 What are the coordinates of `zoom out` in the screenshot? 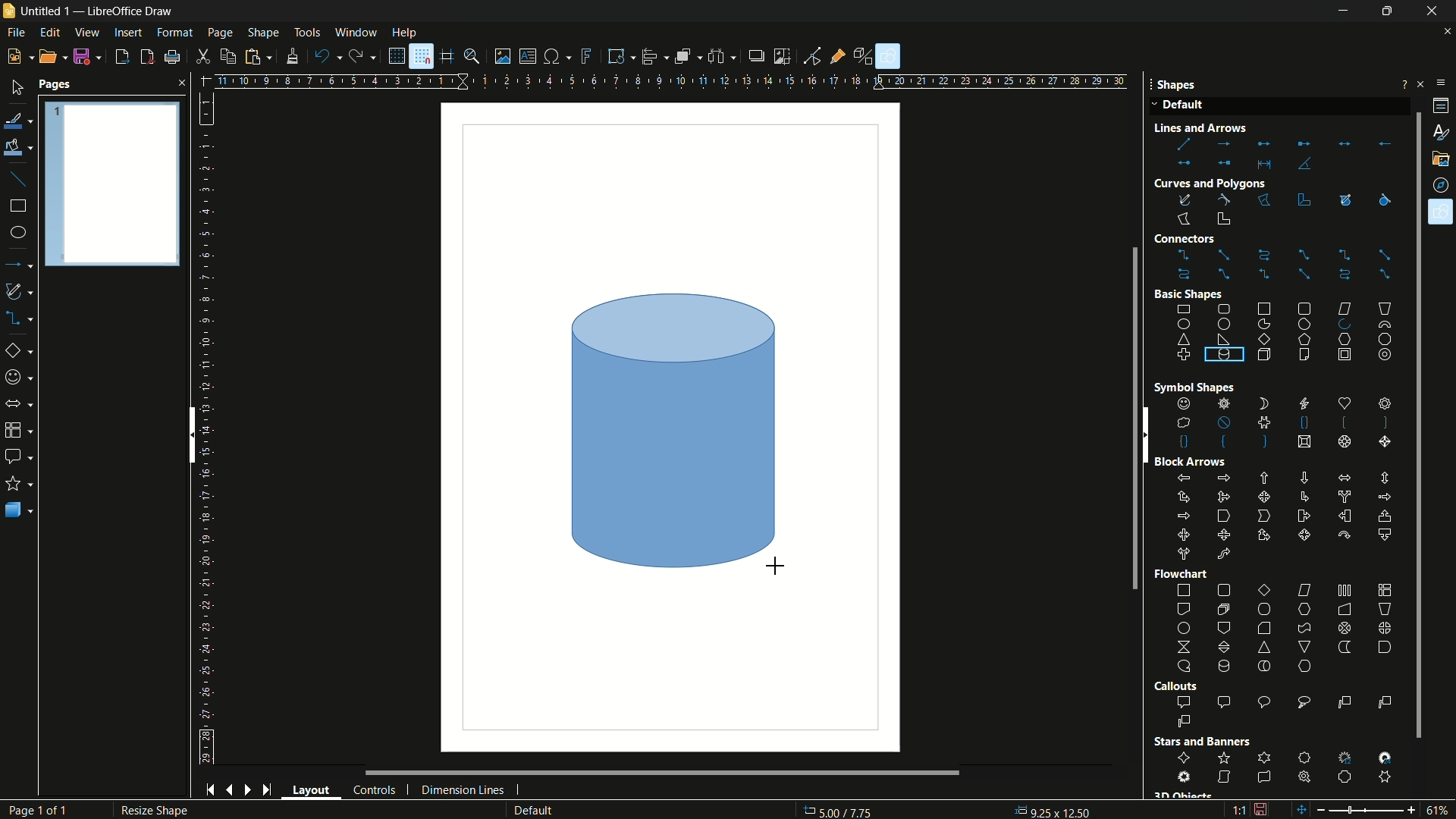 It's located at (1345, 810).